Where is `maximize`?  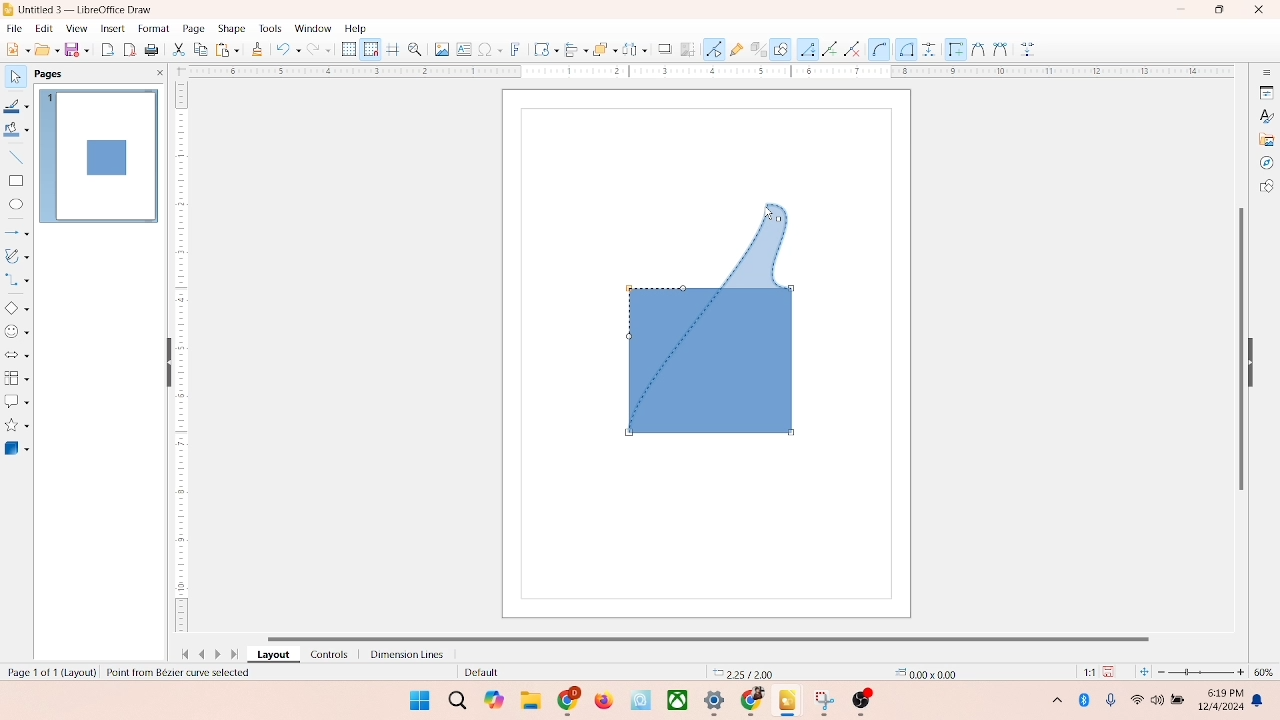 maximize is located at coordinates (1219, 10).